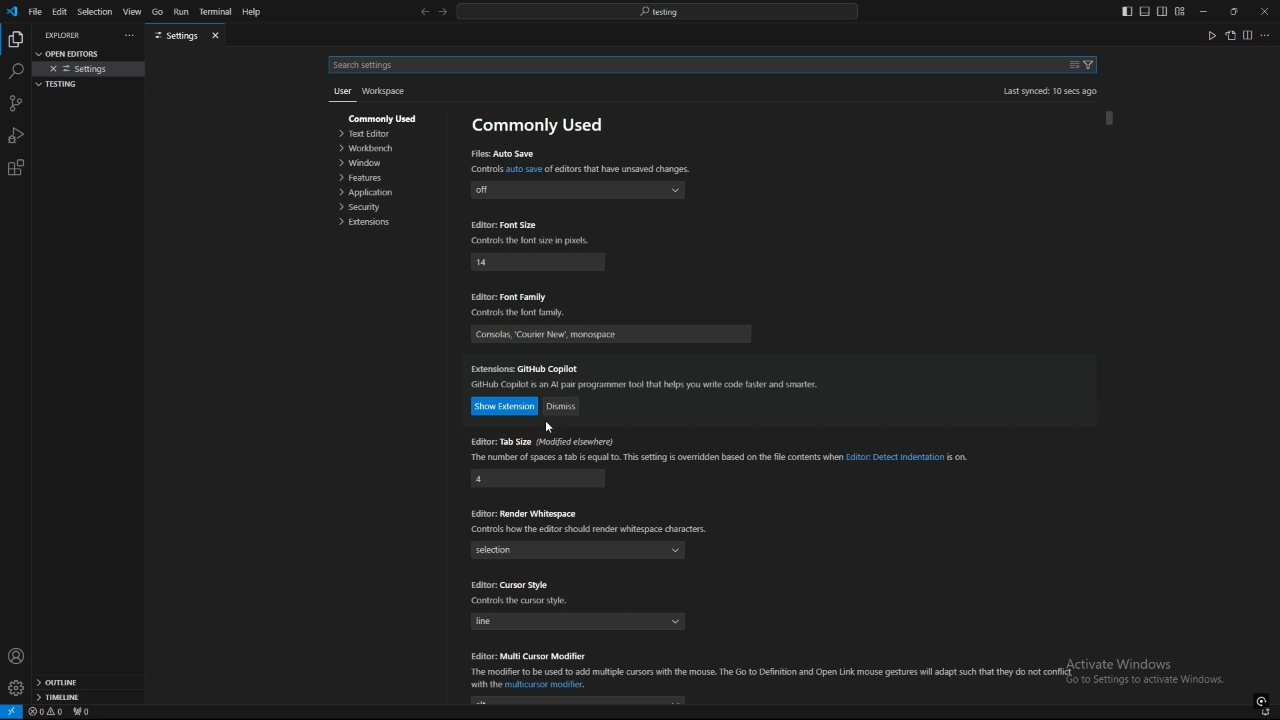 Image resolution: width=1280 pixels, height=720 pixels. Describe the element at coordinates (383, 193) in the screenshot. I see `application` at that location.